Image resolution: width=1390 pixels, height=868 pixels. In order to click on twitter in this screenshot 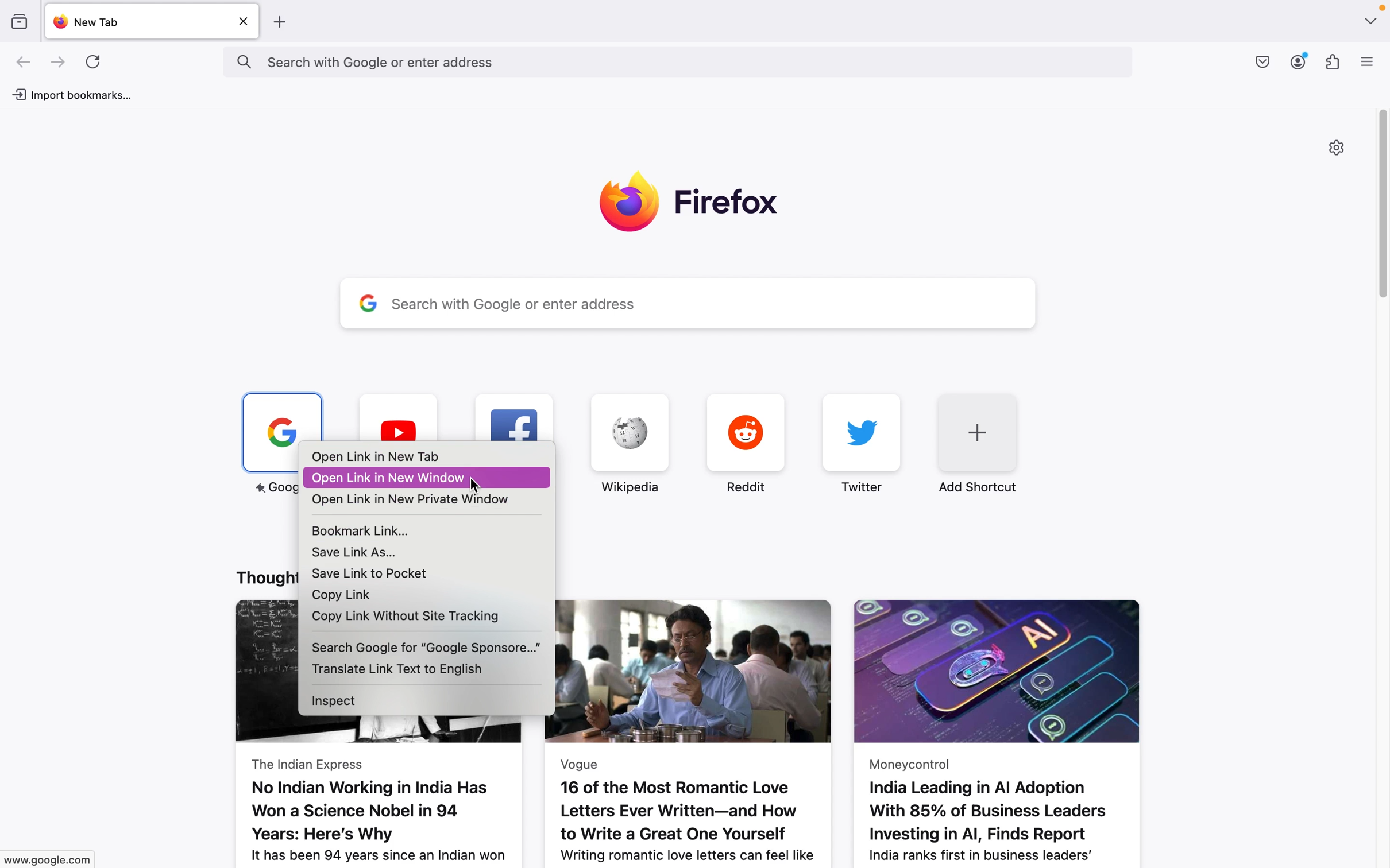, I will do `click(858, 446)`.